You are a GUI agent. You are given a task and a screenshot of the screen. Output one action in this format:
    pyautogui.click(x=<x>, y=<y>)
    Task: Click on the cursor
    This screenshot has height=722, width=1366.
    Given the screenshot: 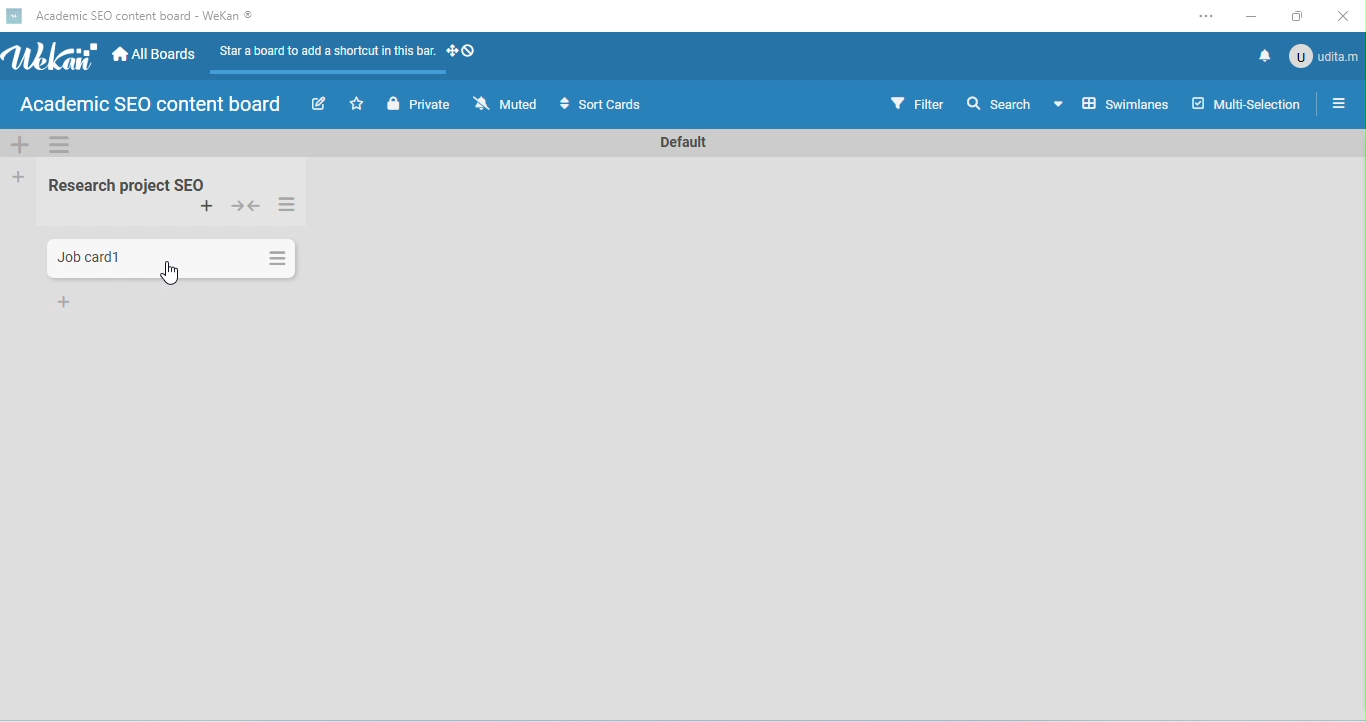 What is the action you would take?
    pyautogui.click(x=170, y=271)
    